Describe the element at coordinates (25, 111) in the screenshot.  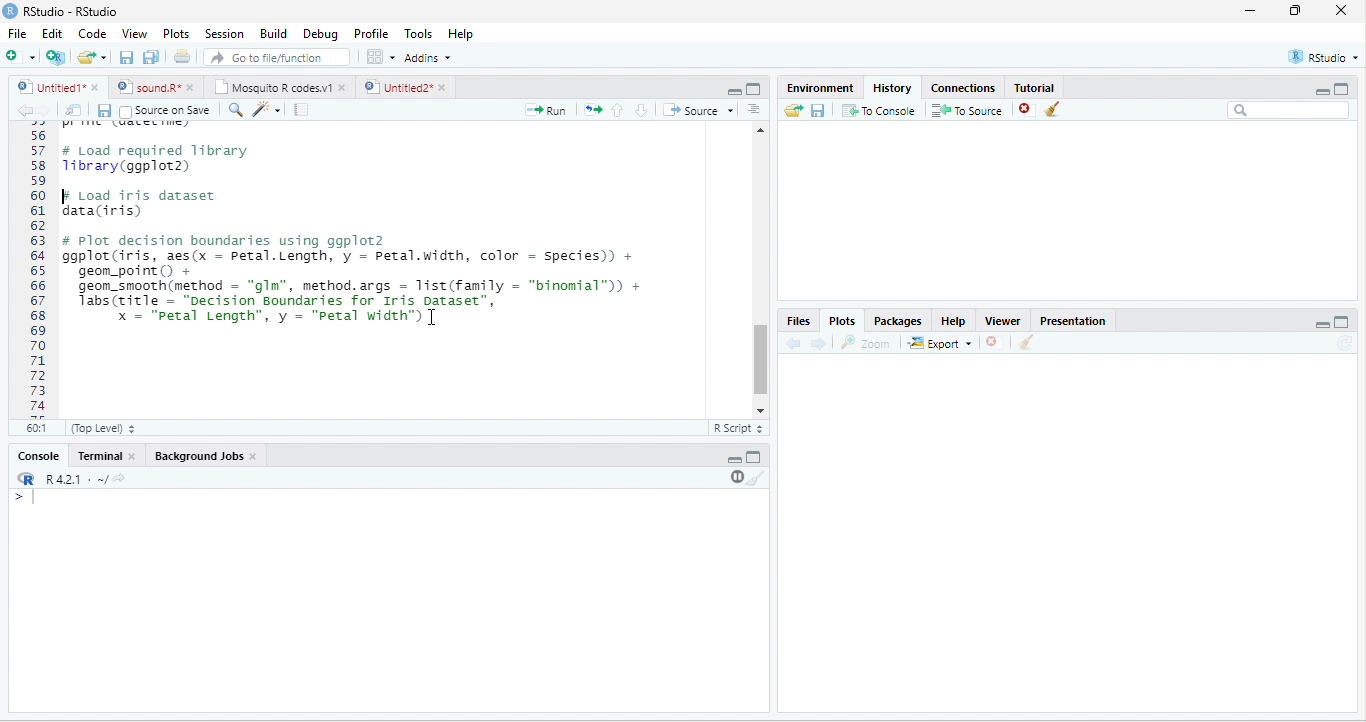
I see `back` at that location.